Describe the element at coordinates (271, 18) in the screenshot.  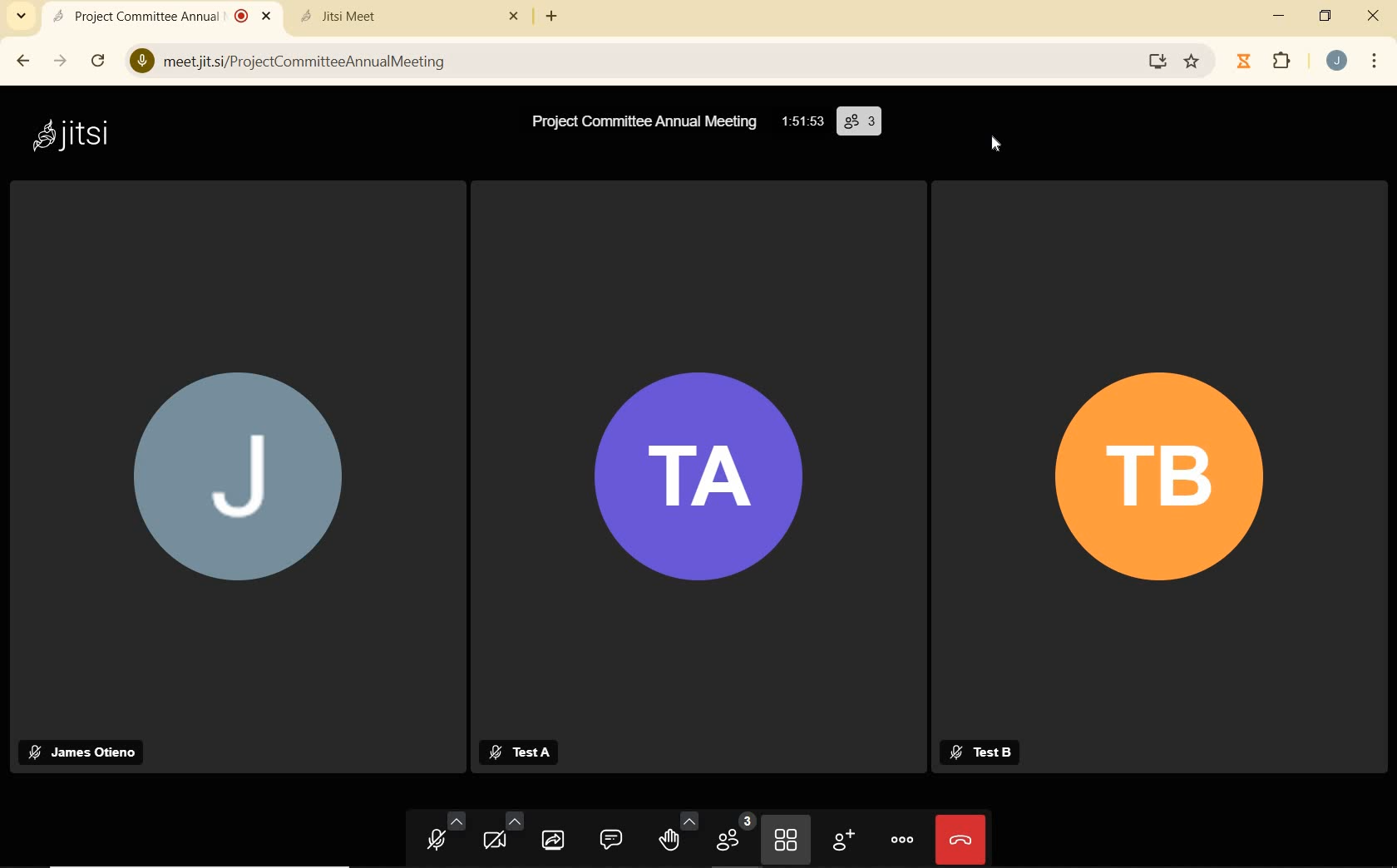
I see `close` at that location.